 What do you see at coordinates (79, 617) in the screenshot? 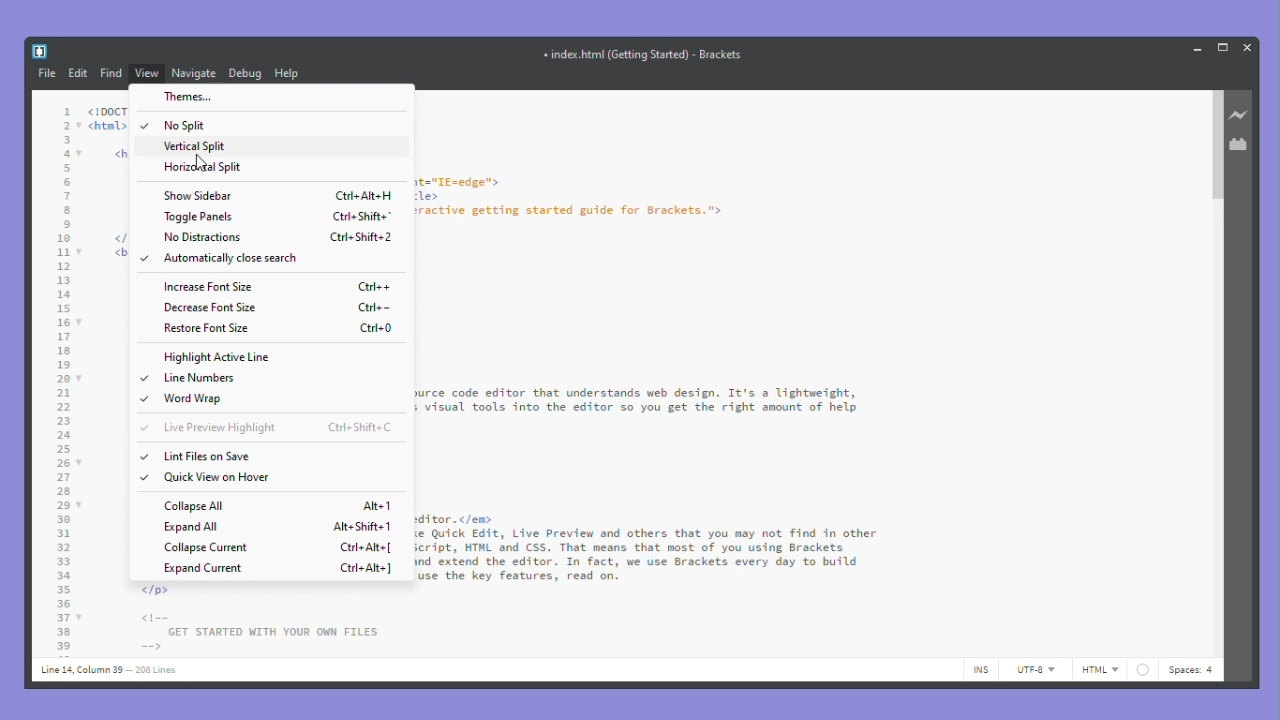
I see `code fold` at bounding box center [79, 617].